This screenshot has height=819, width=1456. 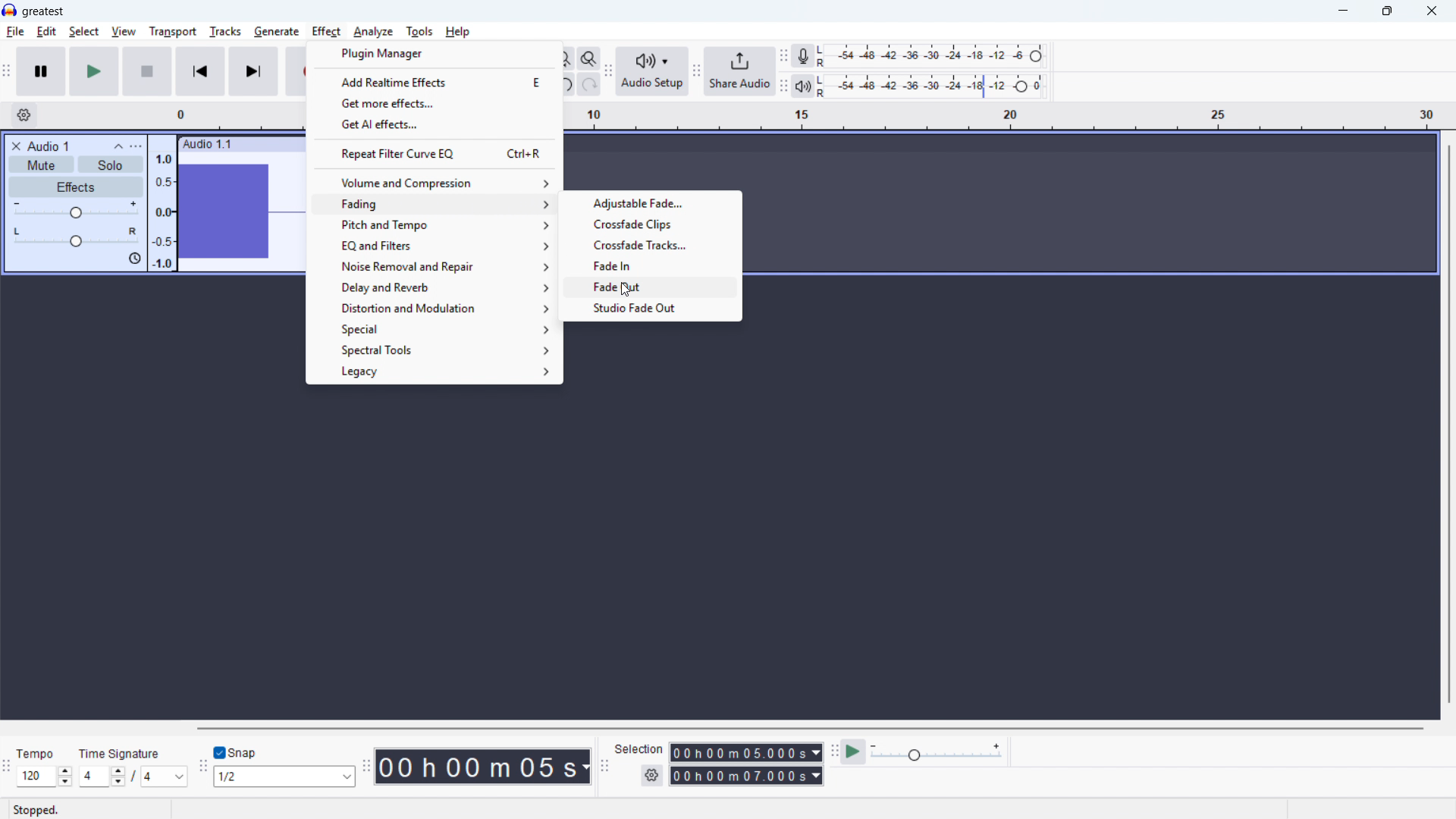 I want to click on Snapping toolbar , so click(x=204, y=769).